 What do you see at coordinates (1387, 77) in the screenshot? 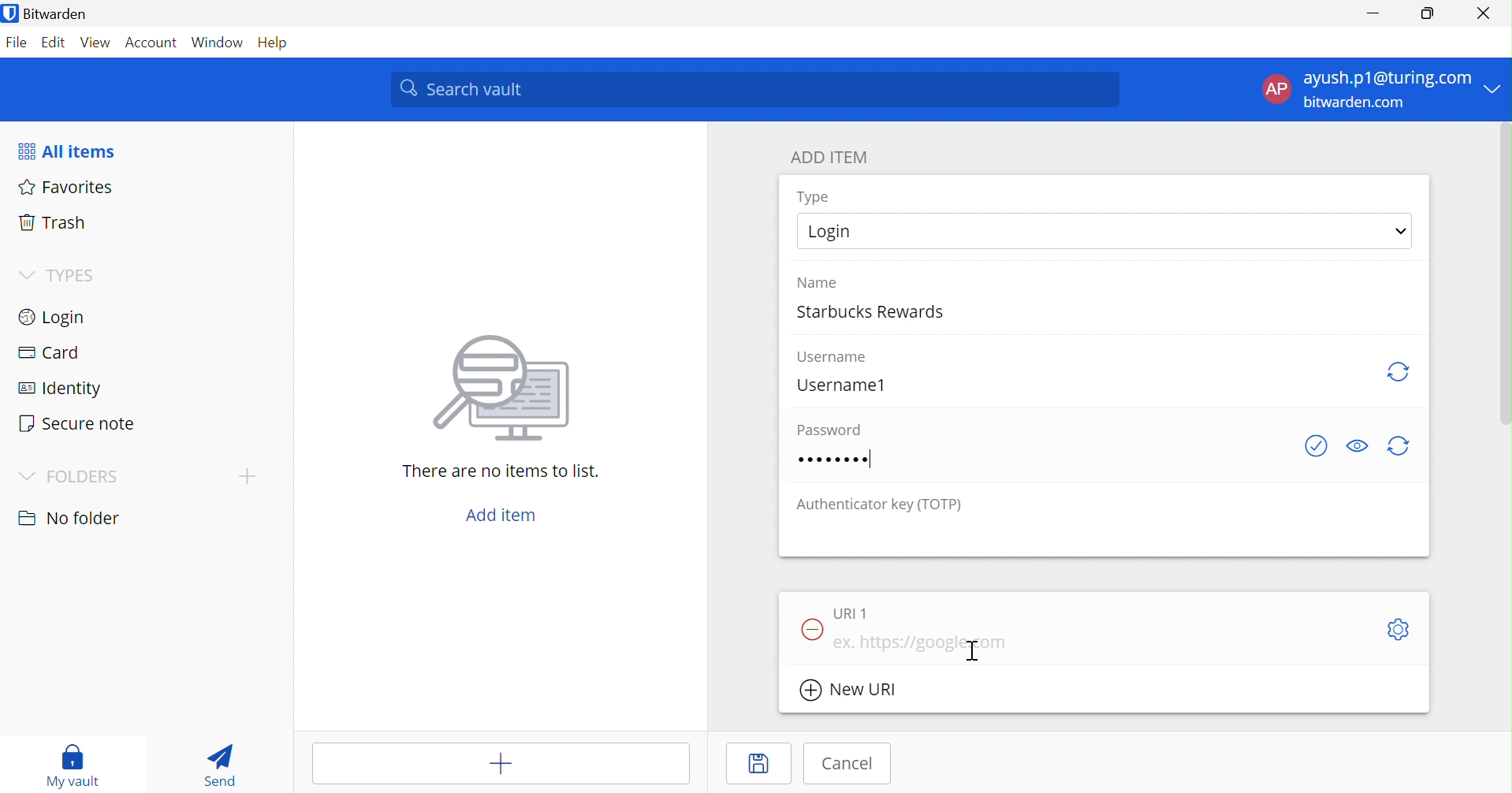
I see `ayush.p1@turing.com` at bounding box center [1387, 77].